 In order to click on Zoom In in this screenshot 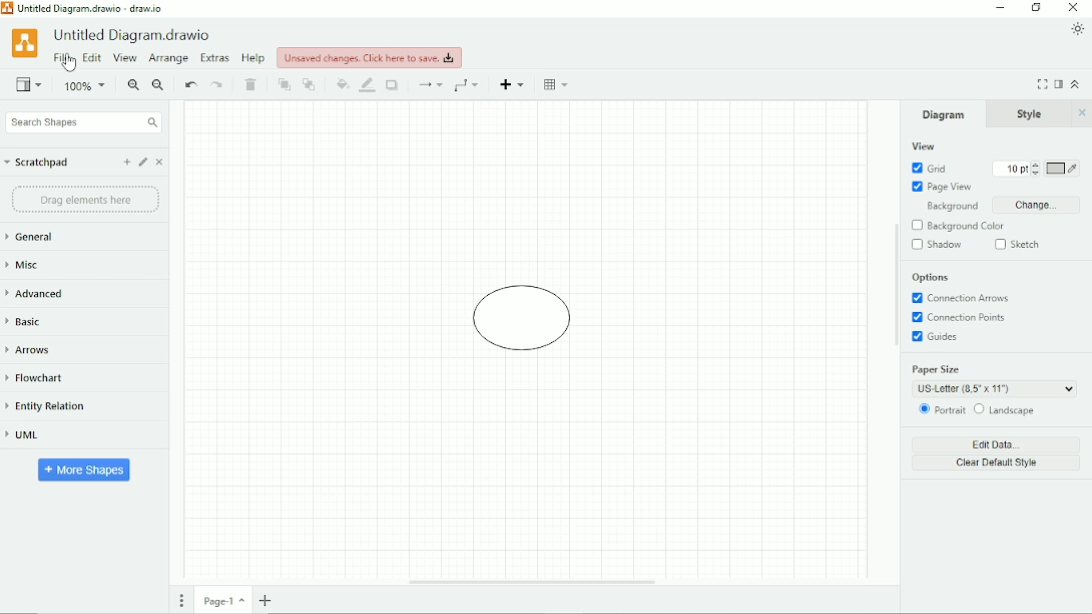, I will do `click(134, 85)`.